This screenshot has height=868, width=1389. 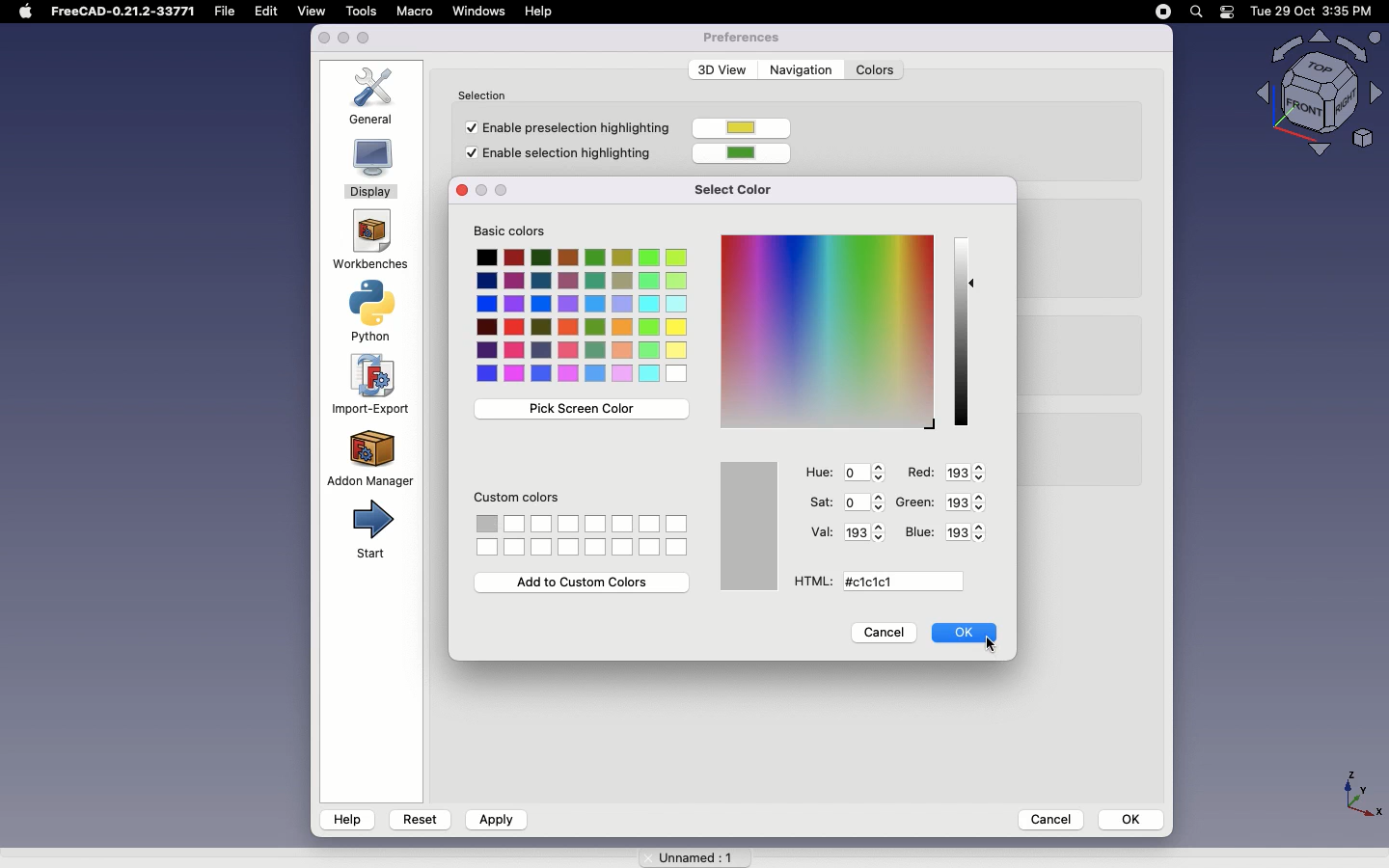 What do you see at coordinates (919, 473) in the screenshot?
I see `Red` at bounding box center [919, 473].